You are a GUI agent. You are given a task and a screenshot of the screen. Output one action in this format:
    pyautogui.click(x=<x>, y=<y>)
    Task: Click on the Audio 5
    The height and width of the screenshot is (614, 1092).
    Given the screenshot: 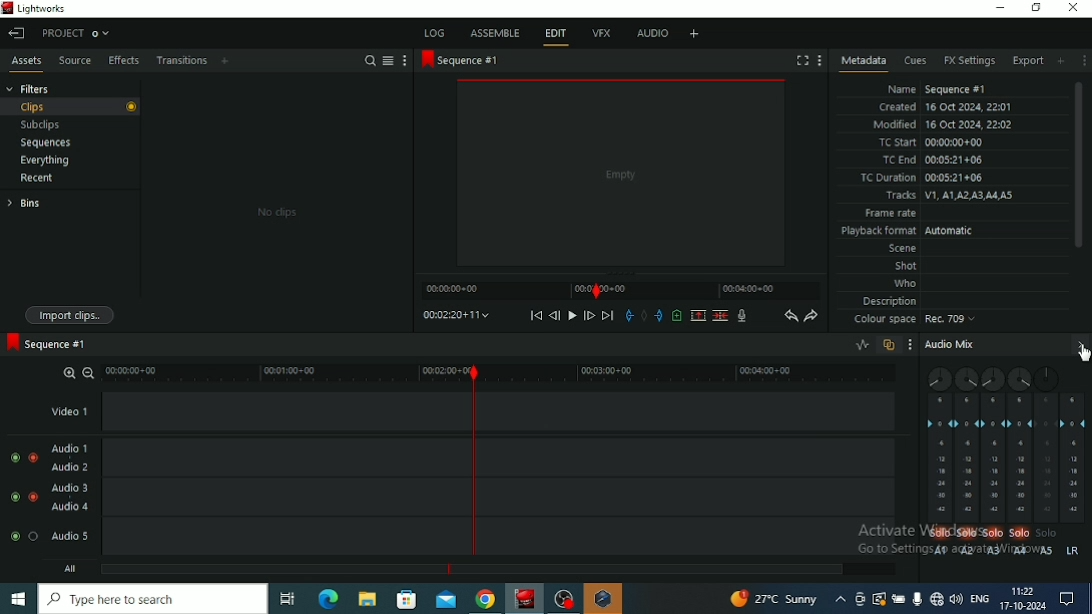 What is the action you would take?
    pyautogui.click(x=476, y=537)
    